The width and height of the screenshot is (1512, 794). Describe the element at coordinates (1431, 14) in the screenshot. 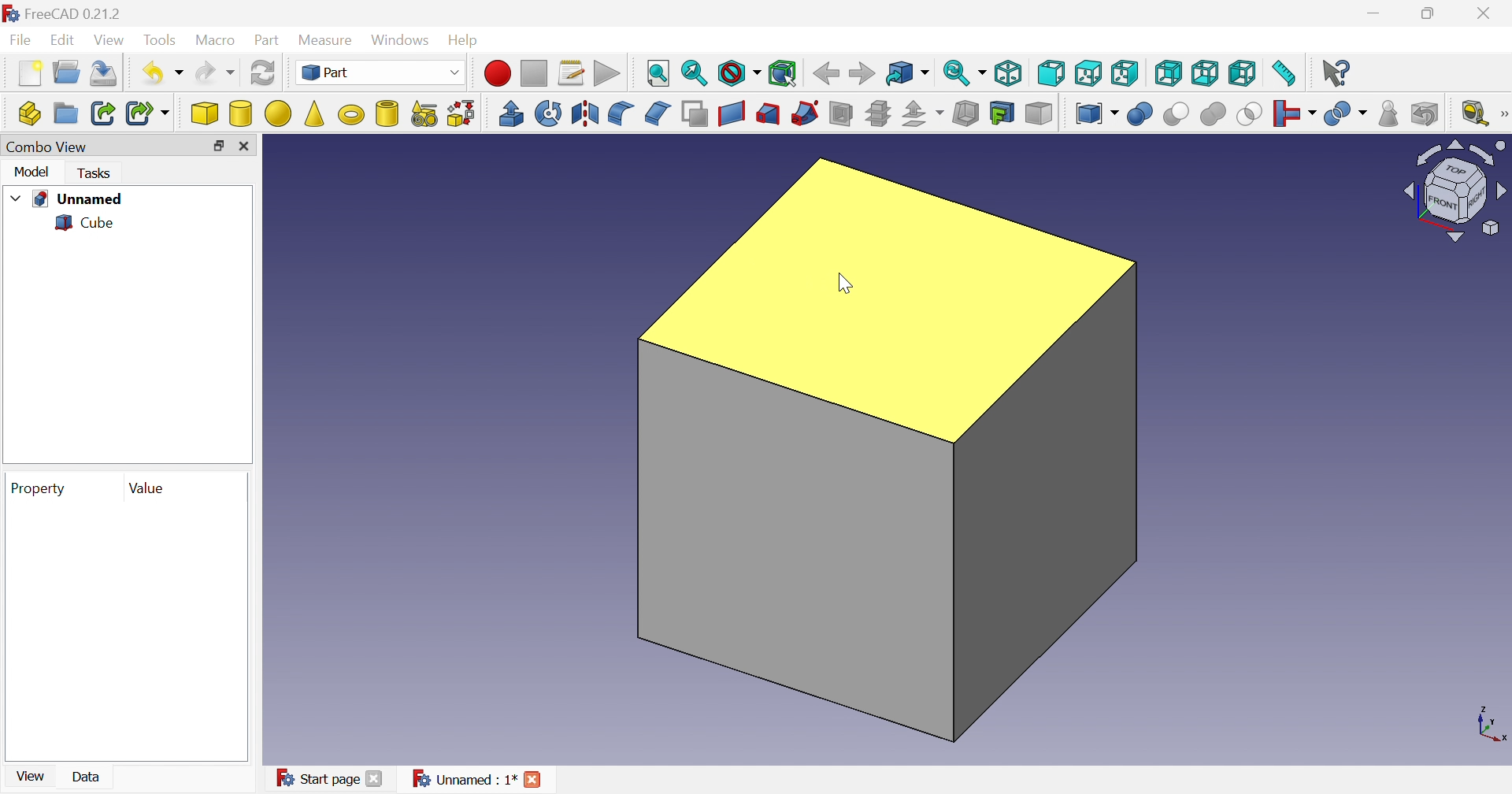

I see `Restore down` at that location.